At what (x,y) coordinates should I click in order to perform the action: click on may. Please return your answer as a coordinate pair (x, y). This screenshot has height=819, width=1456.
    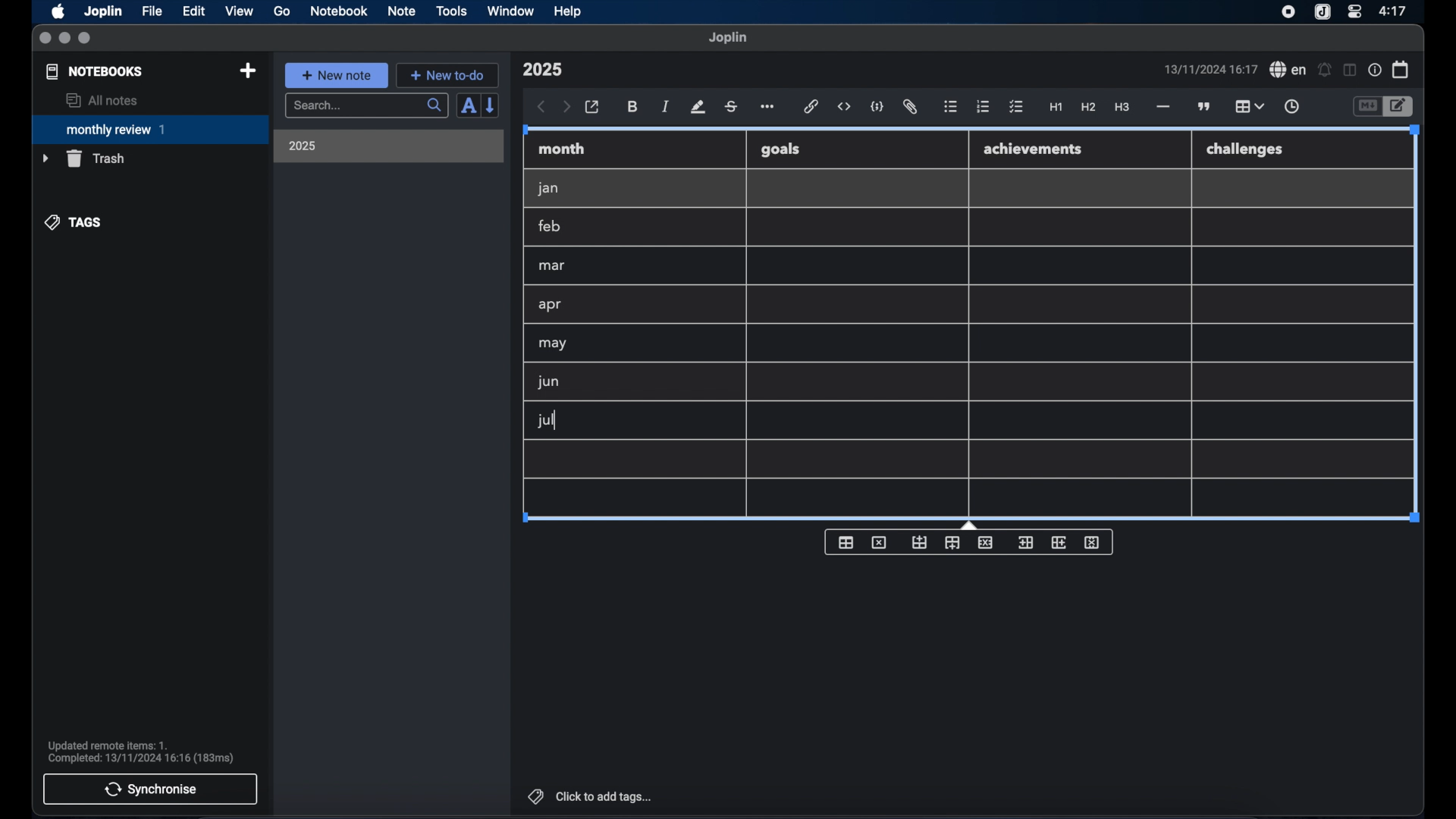
    Looking at the image, I should click on (552, 344).